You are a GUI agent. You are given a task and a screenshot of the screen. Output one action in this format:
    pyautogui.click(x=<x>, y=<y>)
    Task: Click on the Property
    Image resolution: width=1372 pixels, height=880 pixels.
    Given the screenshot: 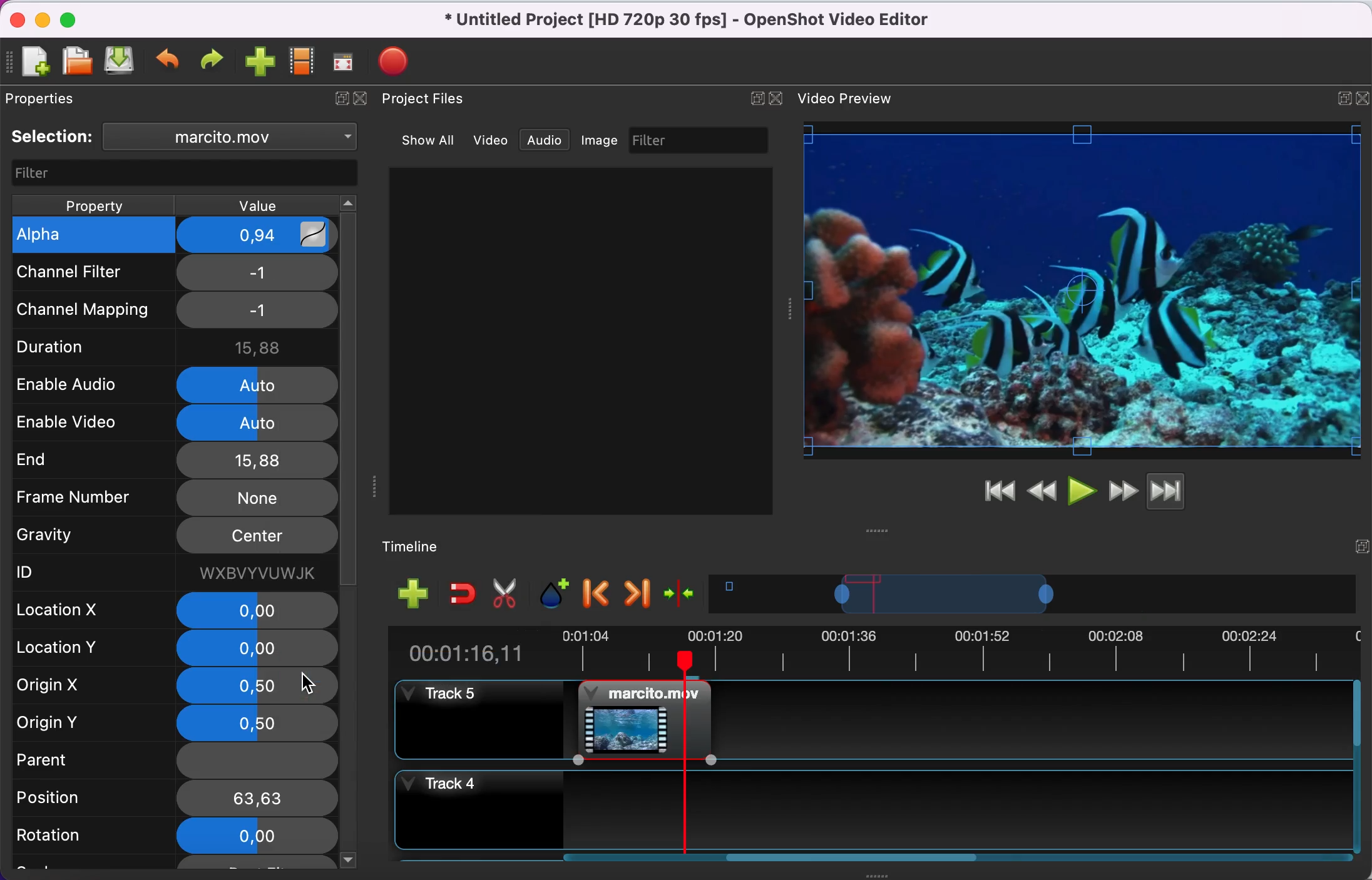 What is the action you would take?
    pyautogui.click(x=86, y=203)
    